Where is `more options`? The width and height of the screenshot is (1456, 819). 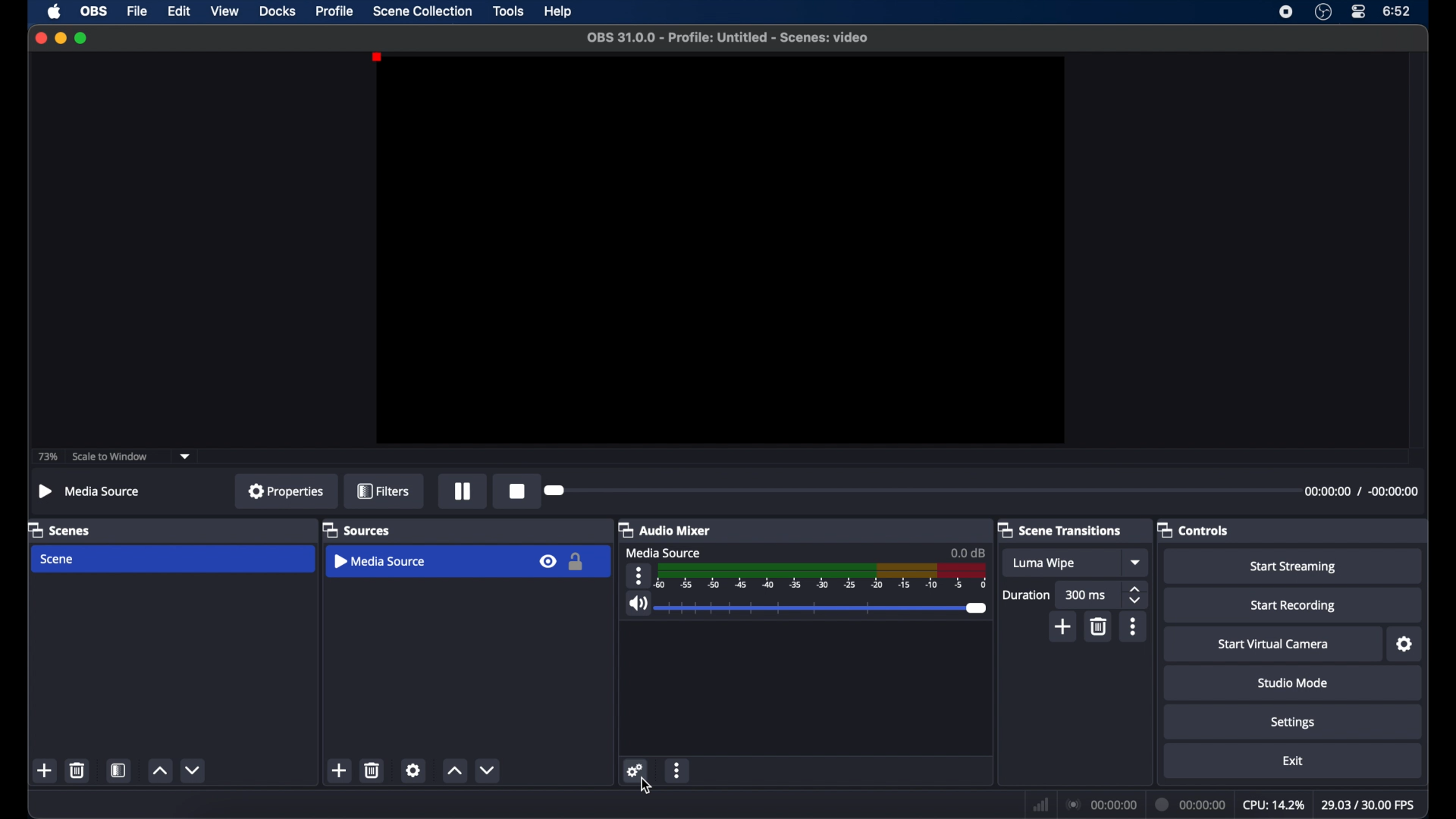
more options is located at coordinates (678, 769).